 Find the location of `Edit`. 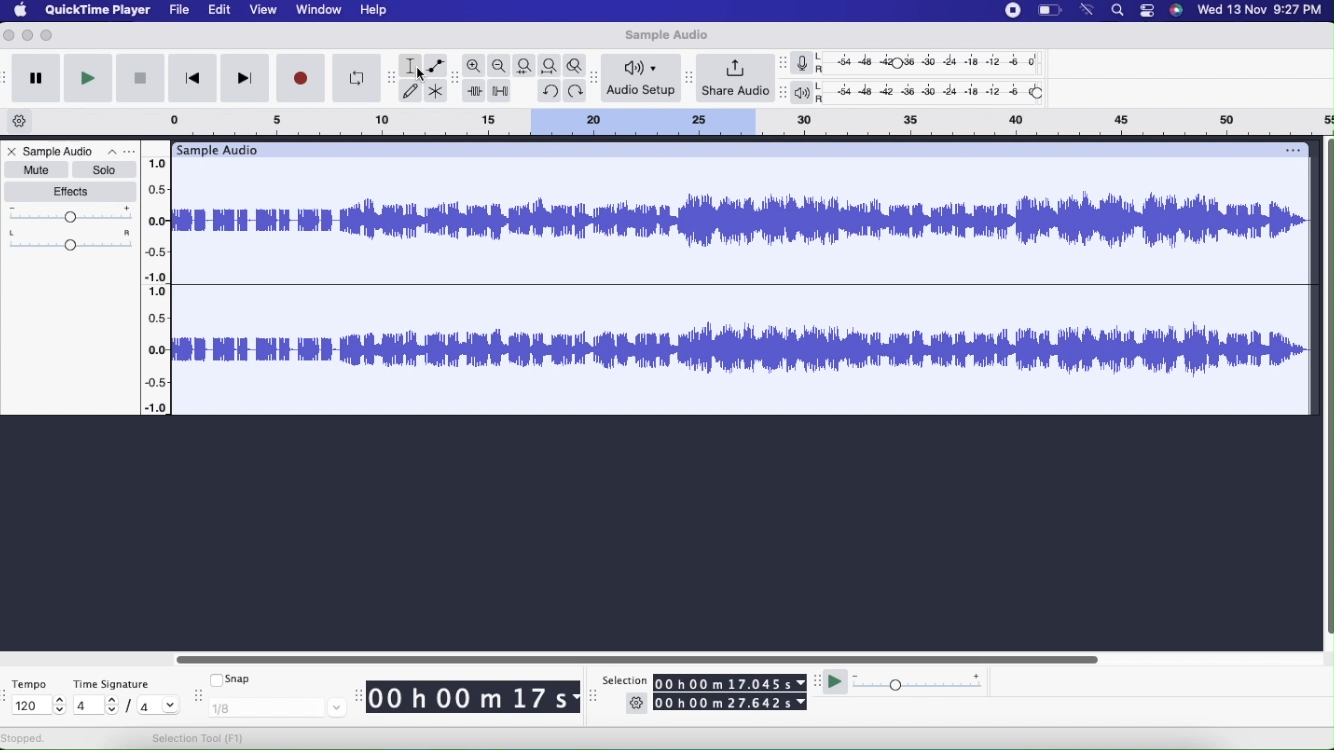

Edit is located at coordinates (220, 11).